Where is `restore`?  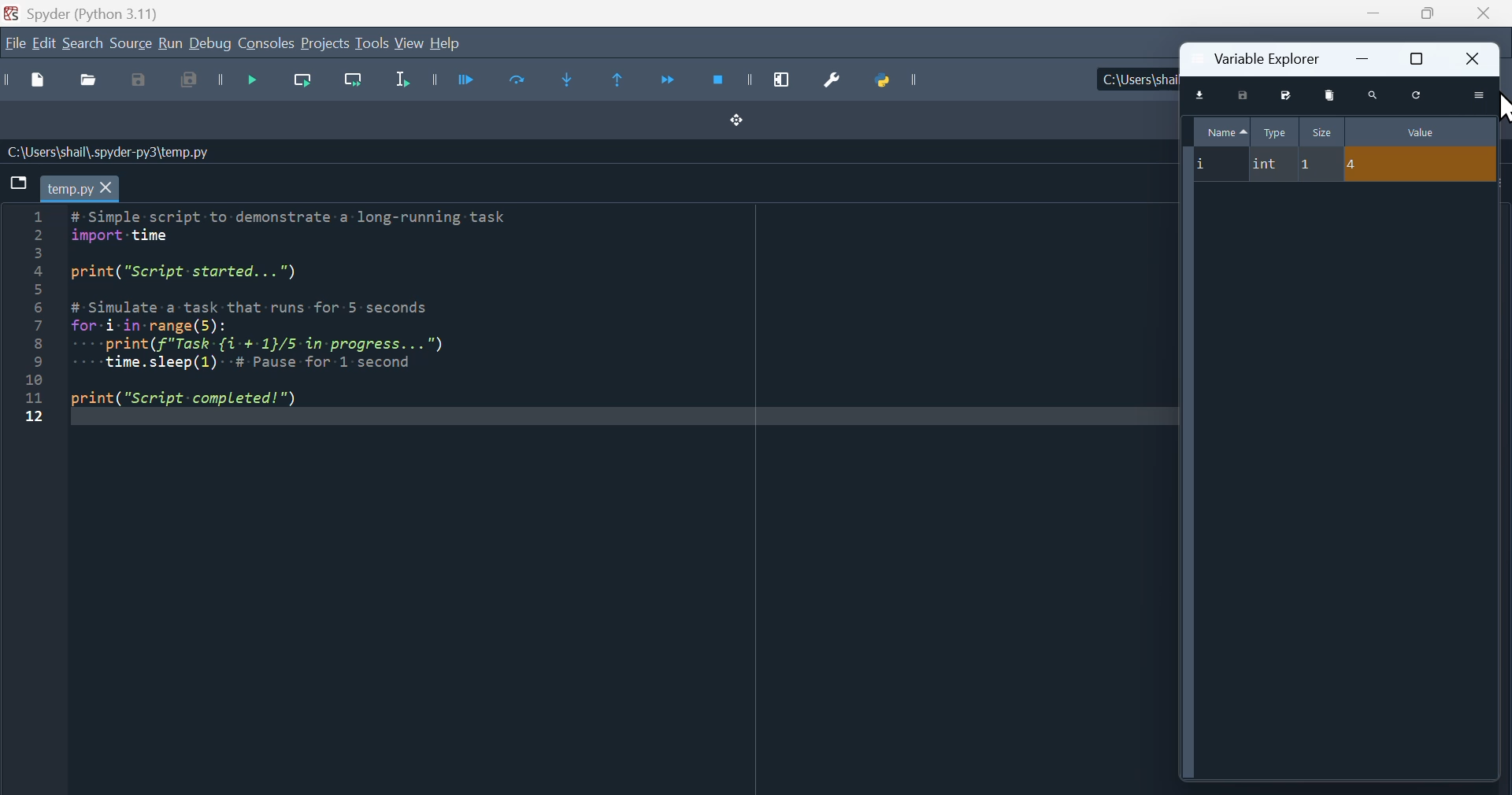
restore is located at coordinates (1417, 58).